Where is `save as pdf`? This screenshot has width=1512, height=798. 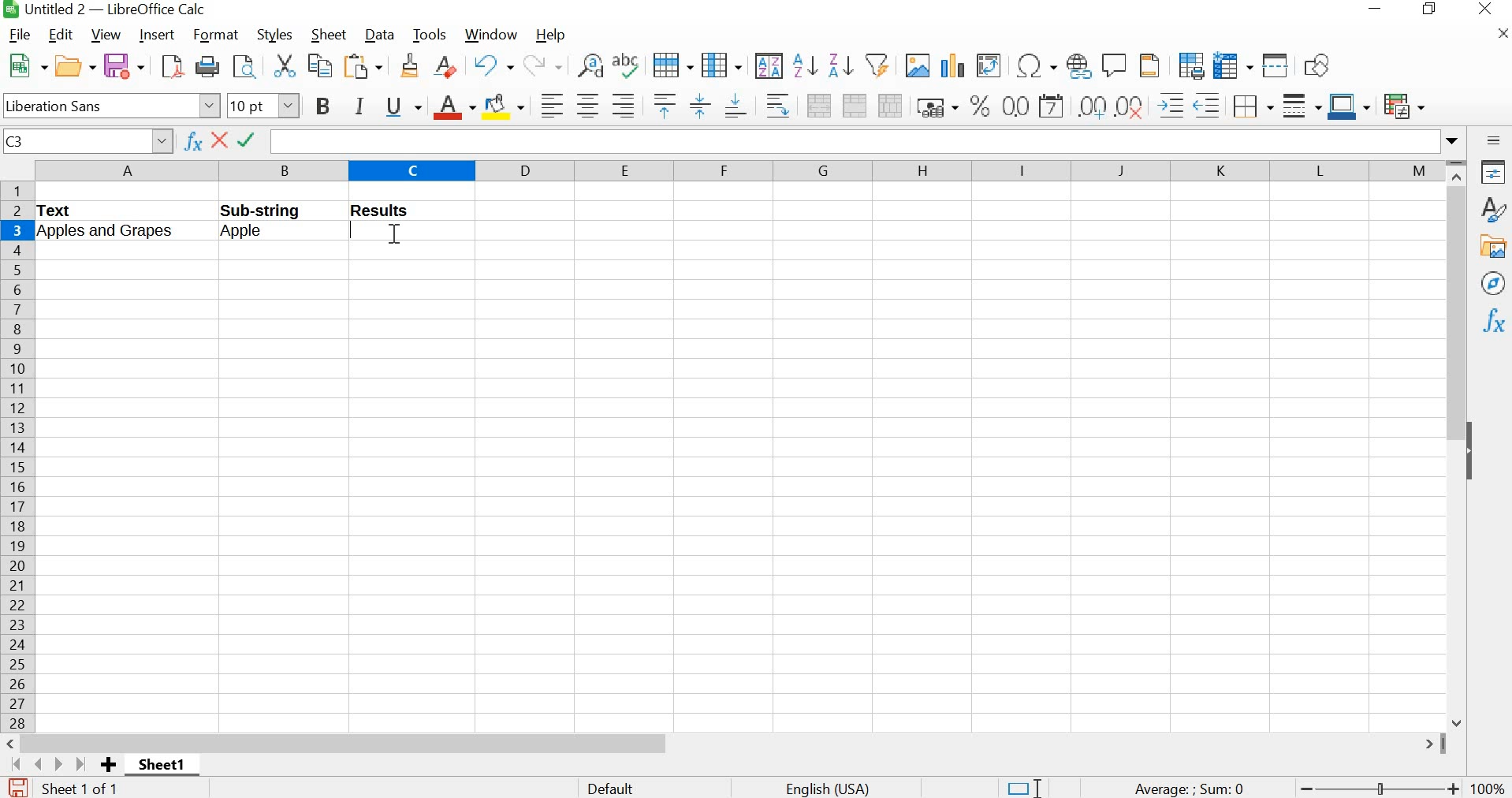
save as pdf is located at coordinates (169, 66).